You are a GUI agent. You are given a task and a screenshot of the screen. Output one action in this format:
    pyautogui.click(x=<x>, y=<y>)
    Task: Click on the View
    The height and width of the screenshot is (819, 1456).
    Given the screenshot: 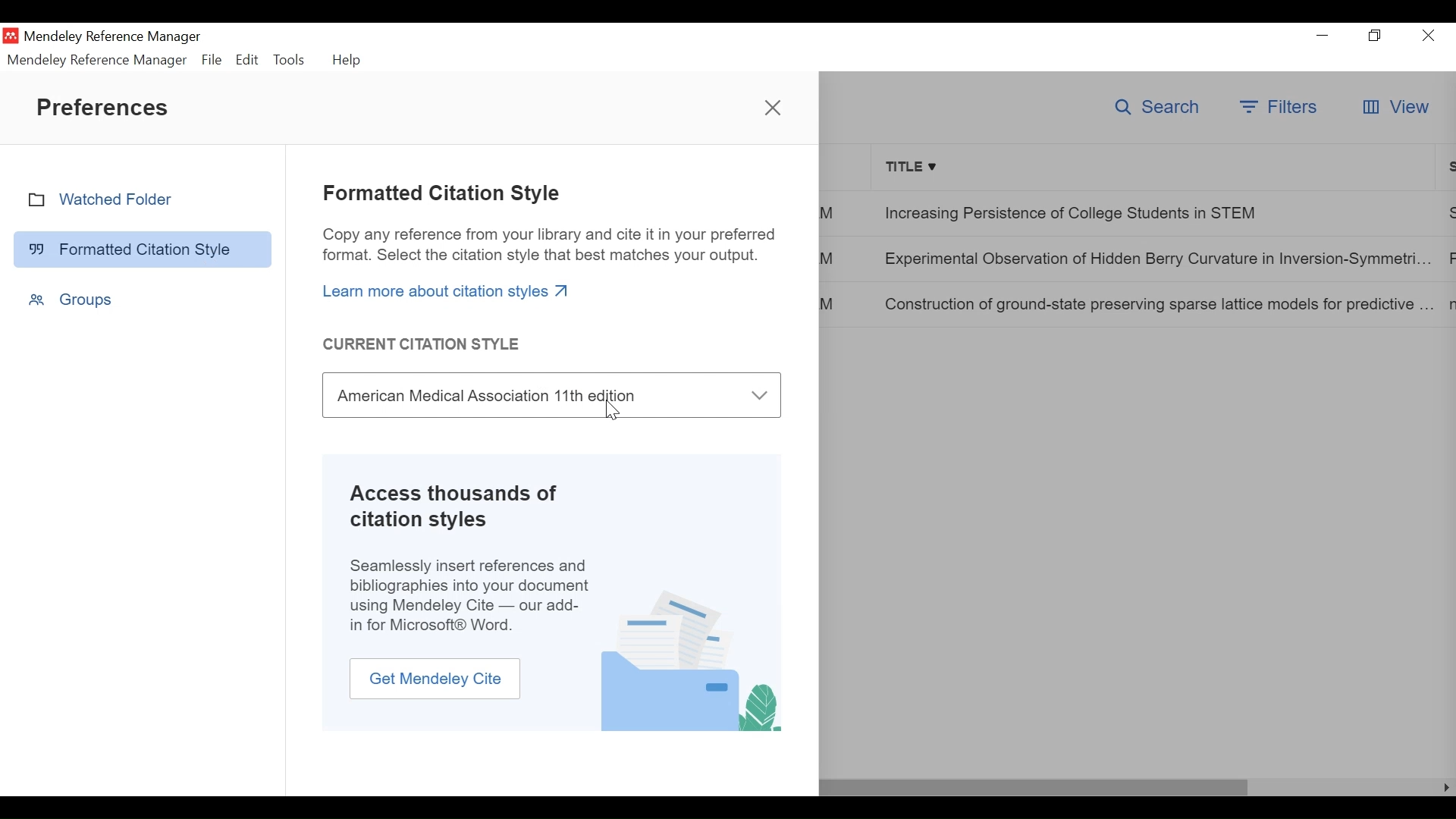 What is the action you would take?
    pyautogui.click(x=1395, y=108)
    